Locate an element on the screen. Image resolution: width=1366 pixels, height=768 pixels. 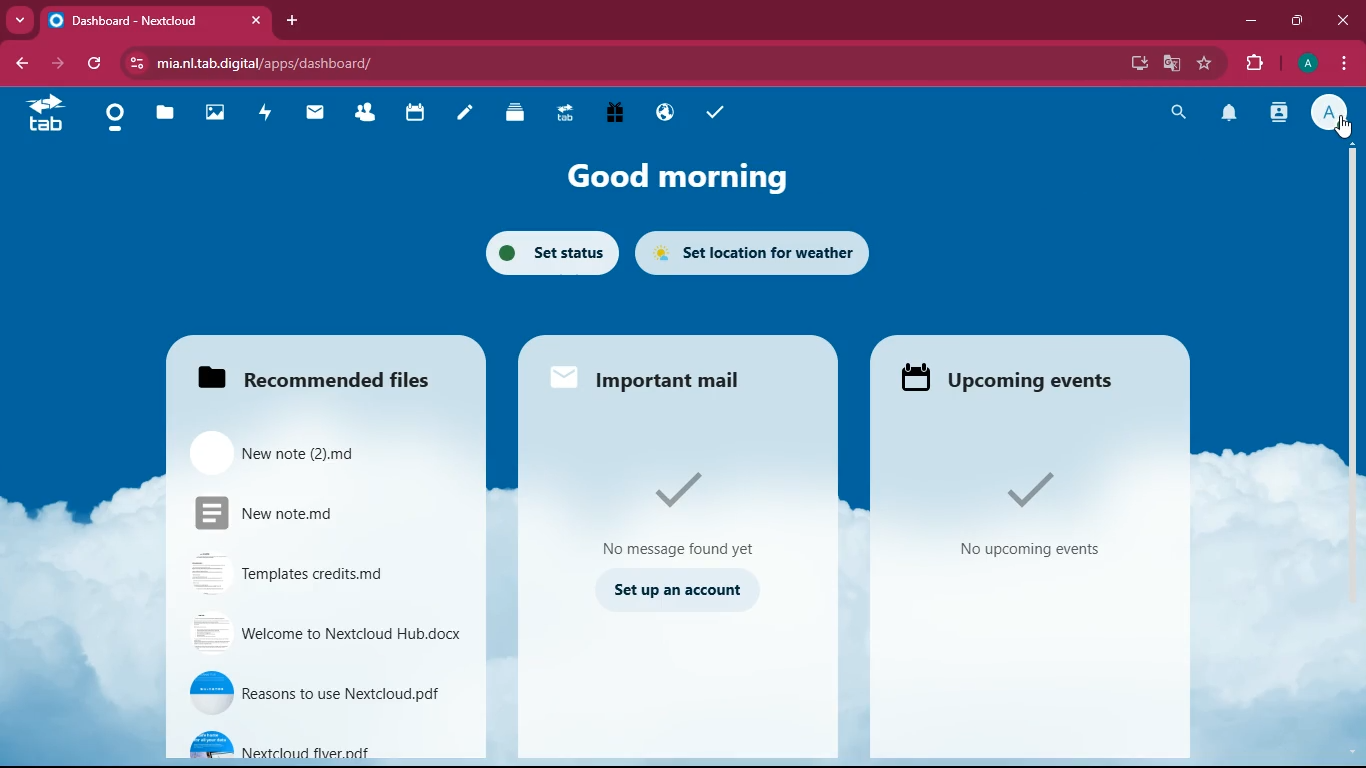
Cursor is located at coordinates (1341, 127).